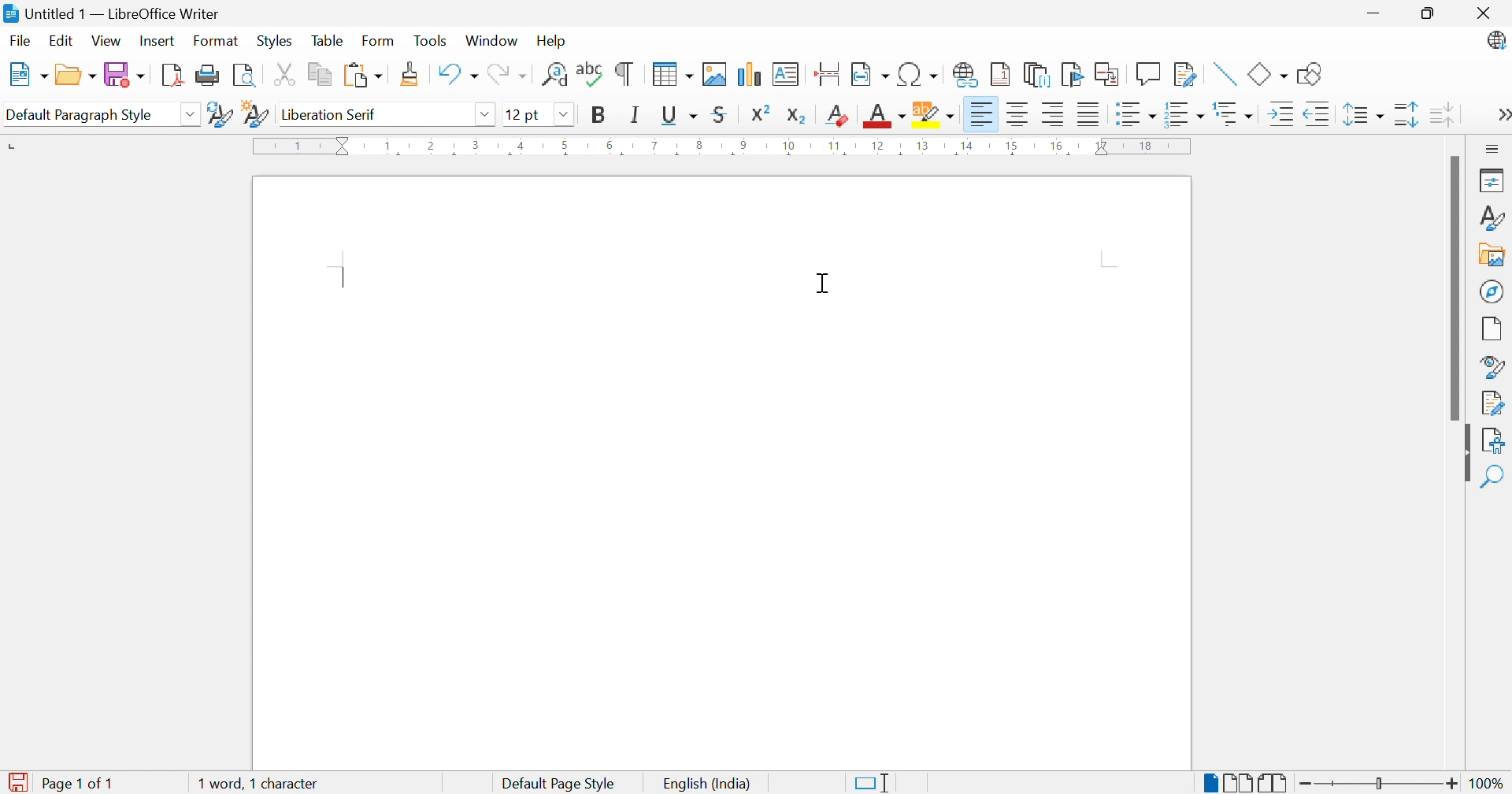  I want to click on Drop Down, so click(192, 116).